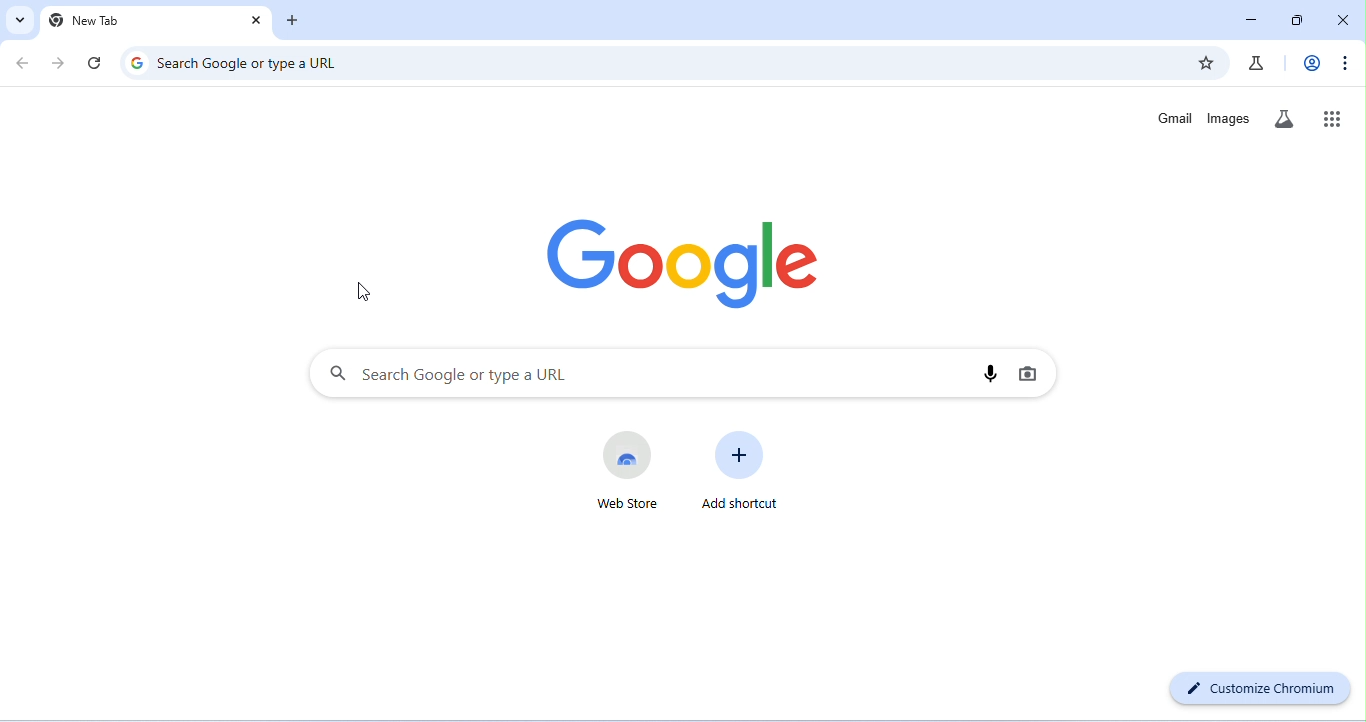 The image size is (1366, 722). I want to click on new tab, so click(86, 21).